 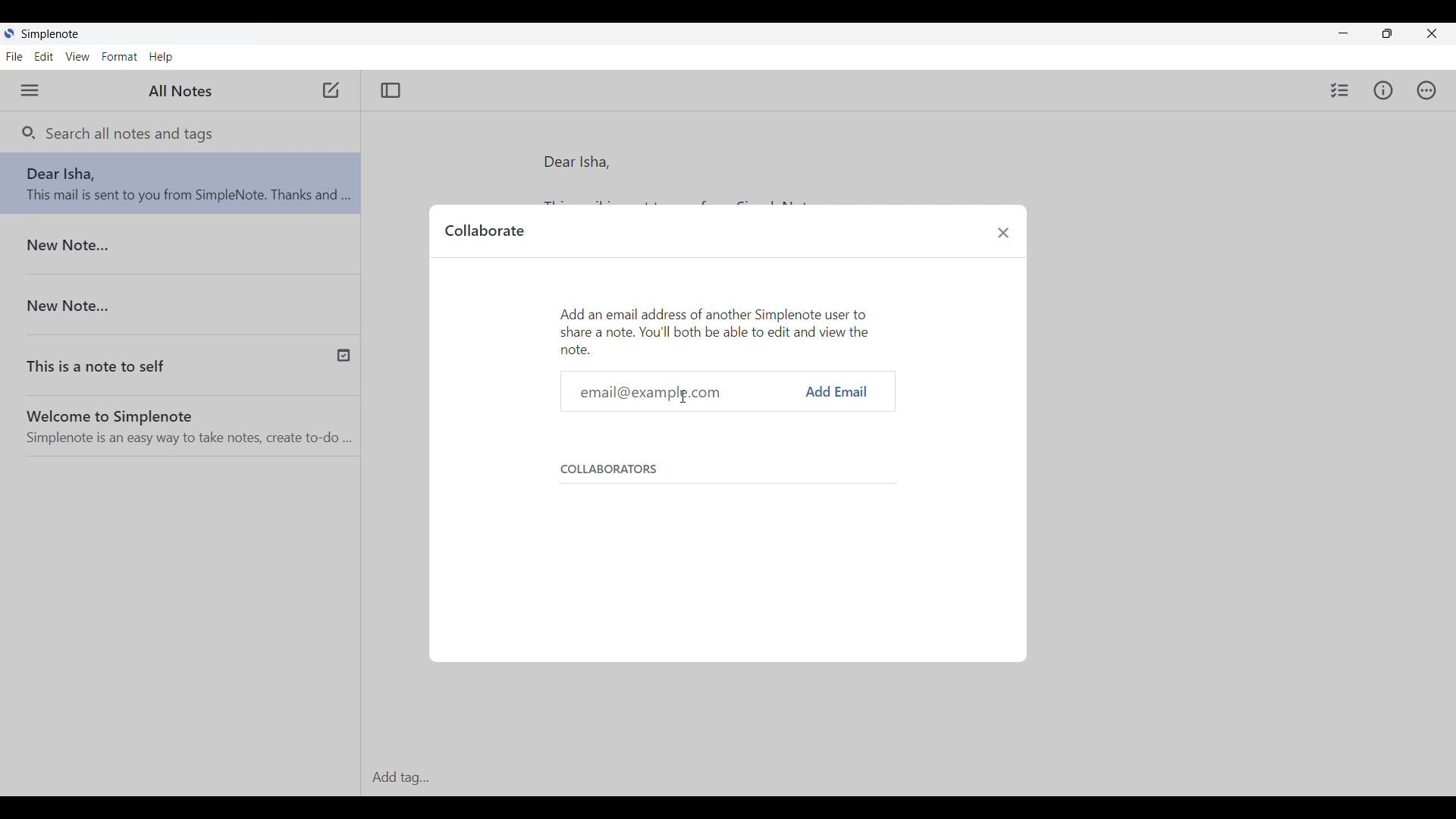 What do you see at coordinates (178, 92) in the screenshot?
I see `All Notes(Title of left side panel)` at bounding box center [178, 92].